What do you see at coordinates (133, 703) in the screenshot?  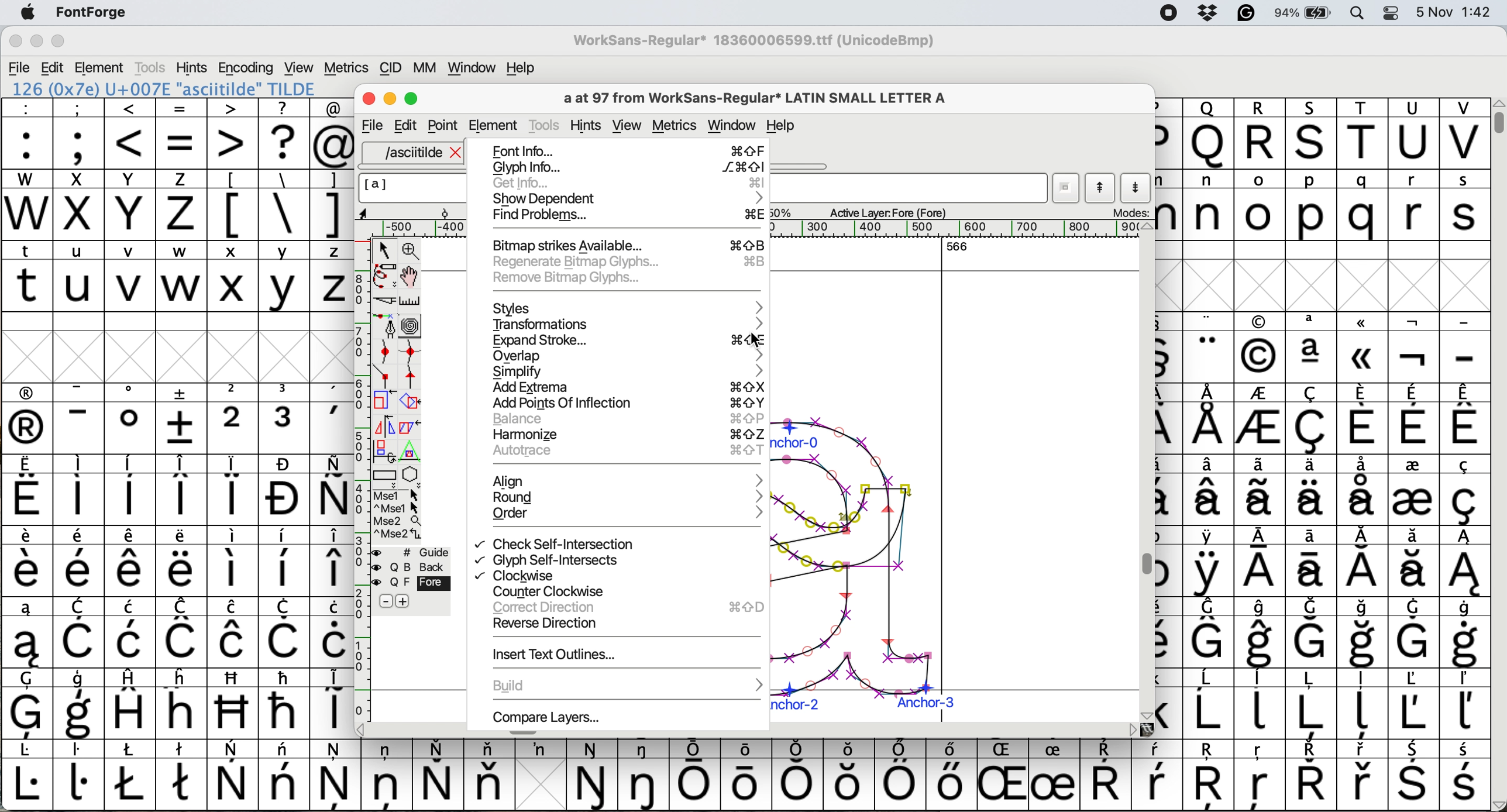 I see `symbol` at bounding box center [133, 703].